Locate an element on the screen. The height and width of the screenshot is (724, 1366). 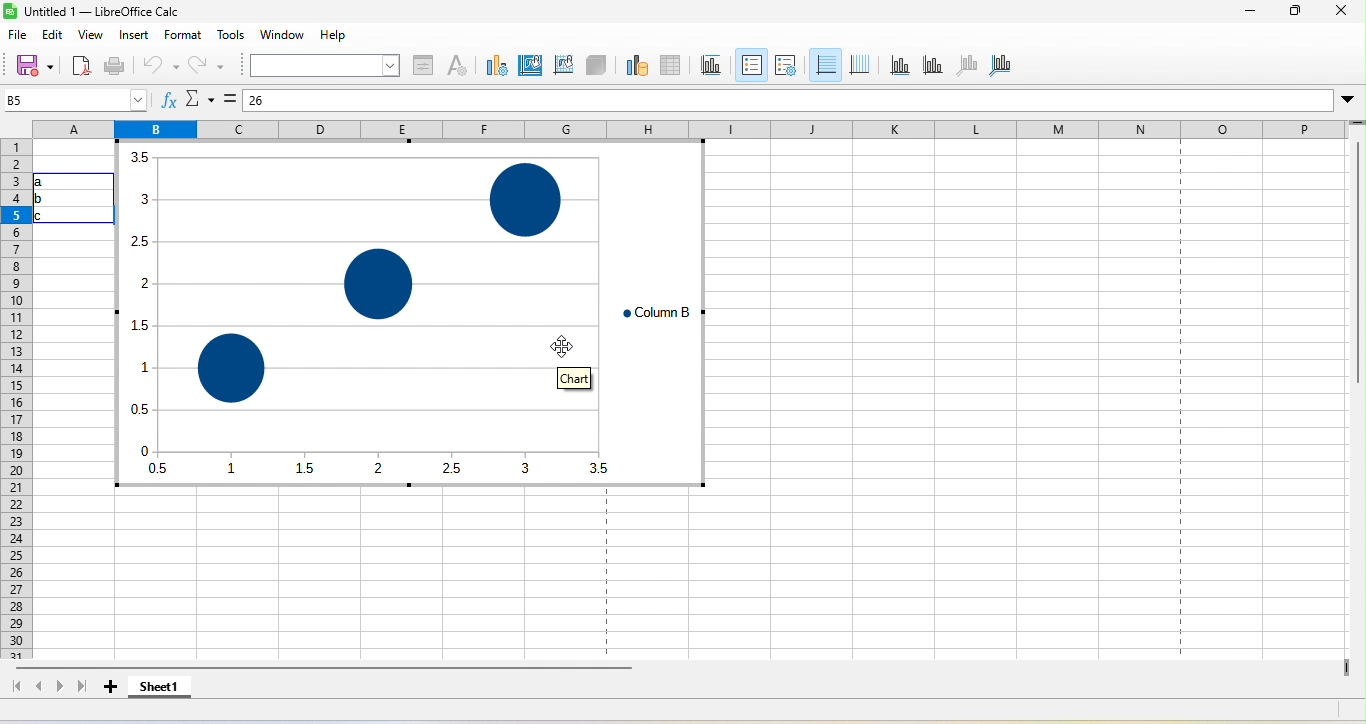
Inserted a bubble chart is located at coordinates (413, 322).